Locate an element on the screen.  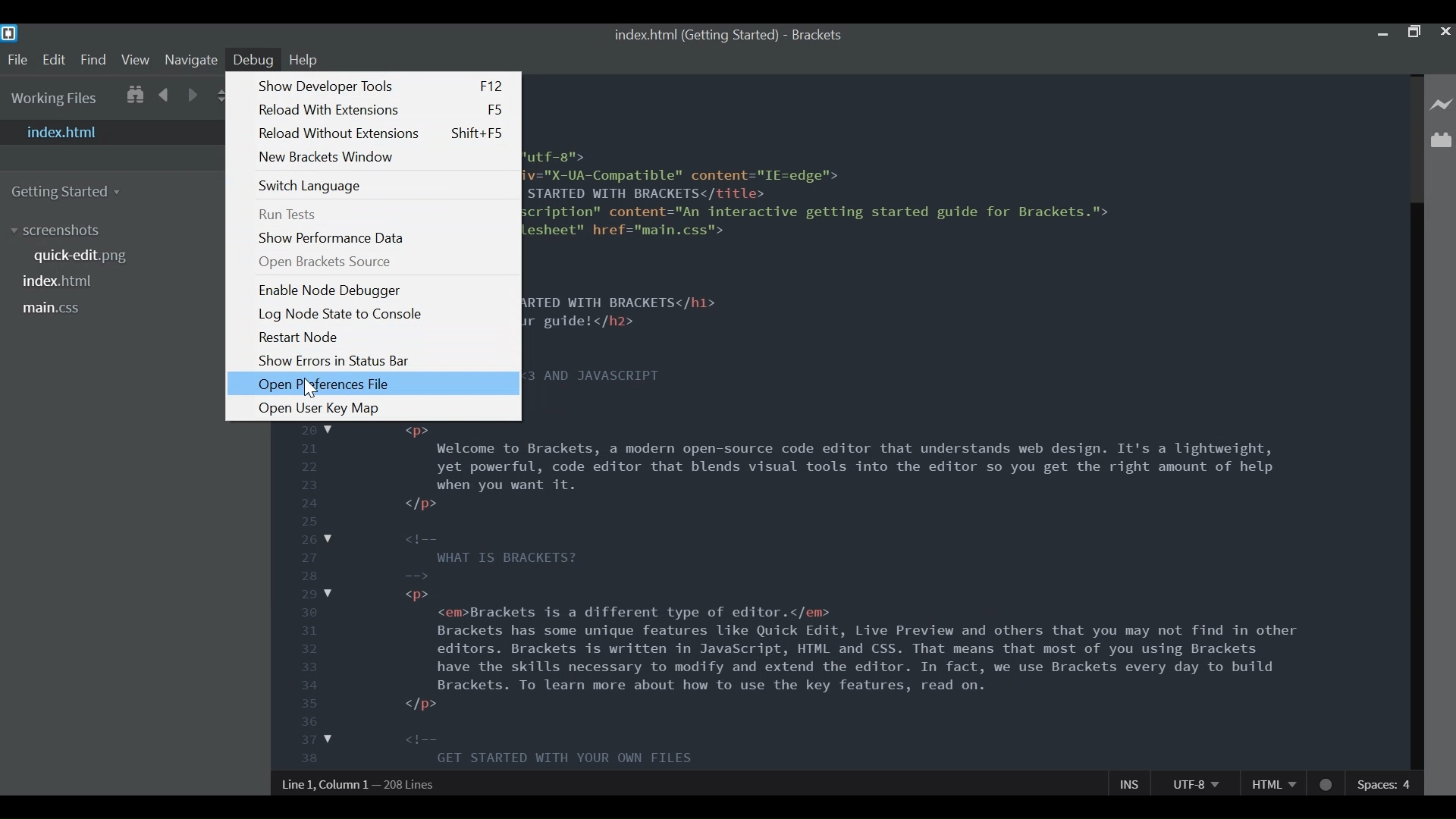
HTML is located at coordinates (1272, 784).